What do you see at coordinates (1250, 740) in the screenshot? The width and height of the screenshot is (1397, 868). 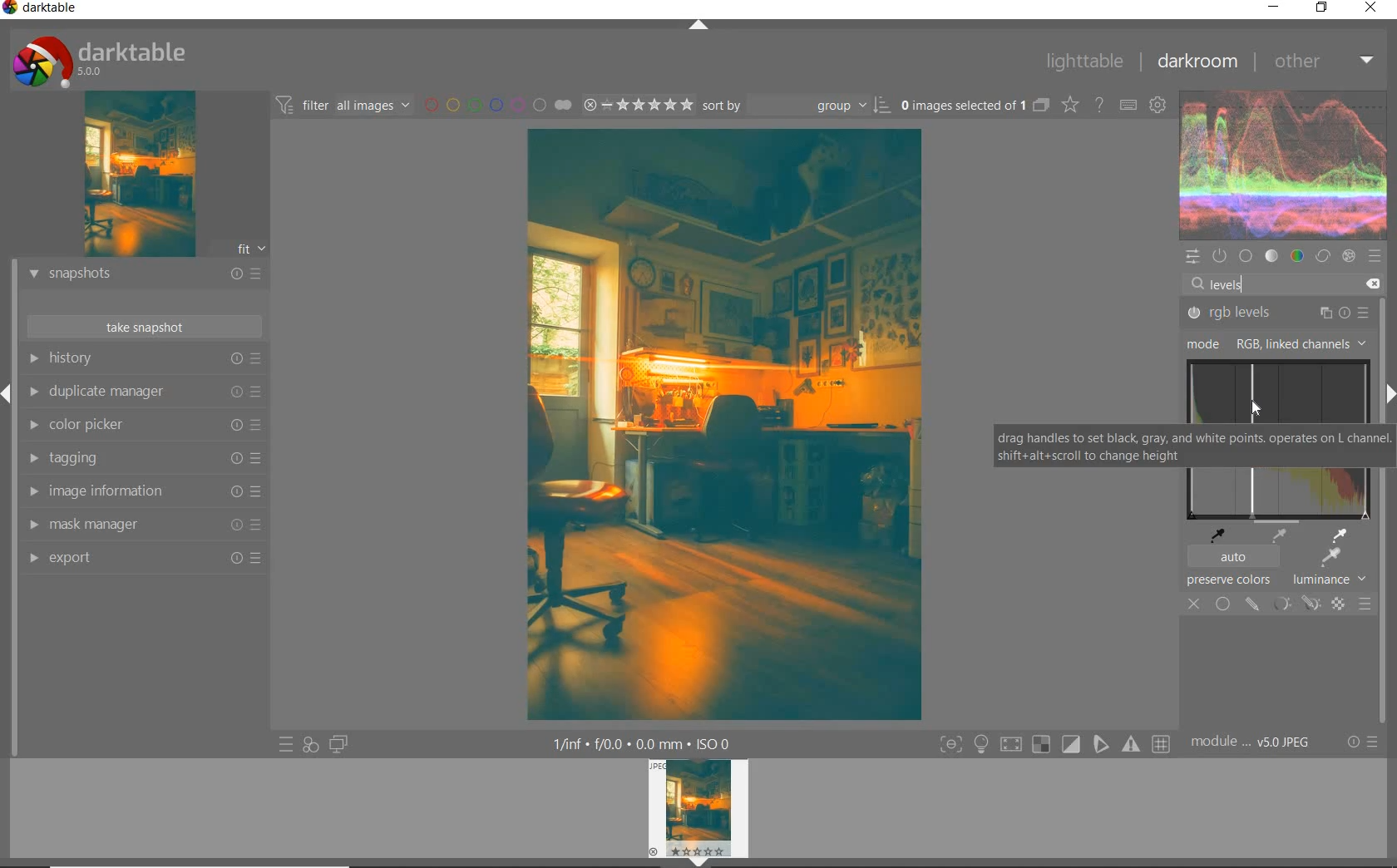 I see `module` at bounding box center [1250, 740].